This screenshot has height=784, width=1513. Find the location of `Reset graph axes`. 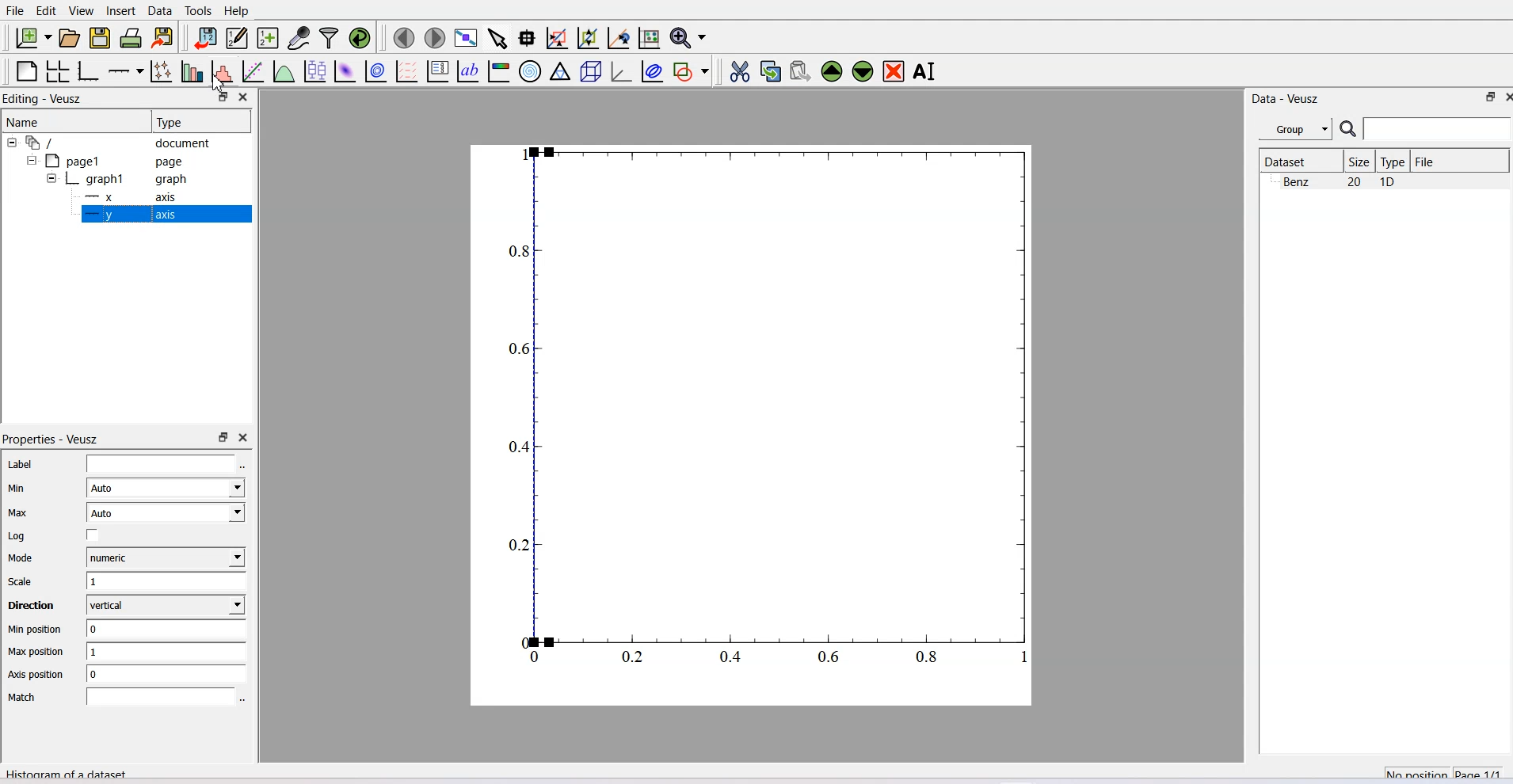

Reset graph axes is located at coordinates (650, 37).